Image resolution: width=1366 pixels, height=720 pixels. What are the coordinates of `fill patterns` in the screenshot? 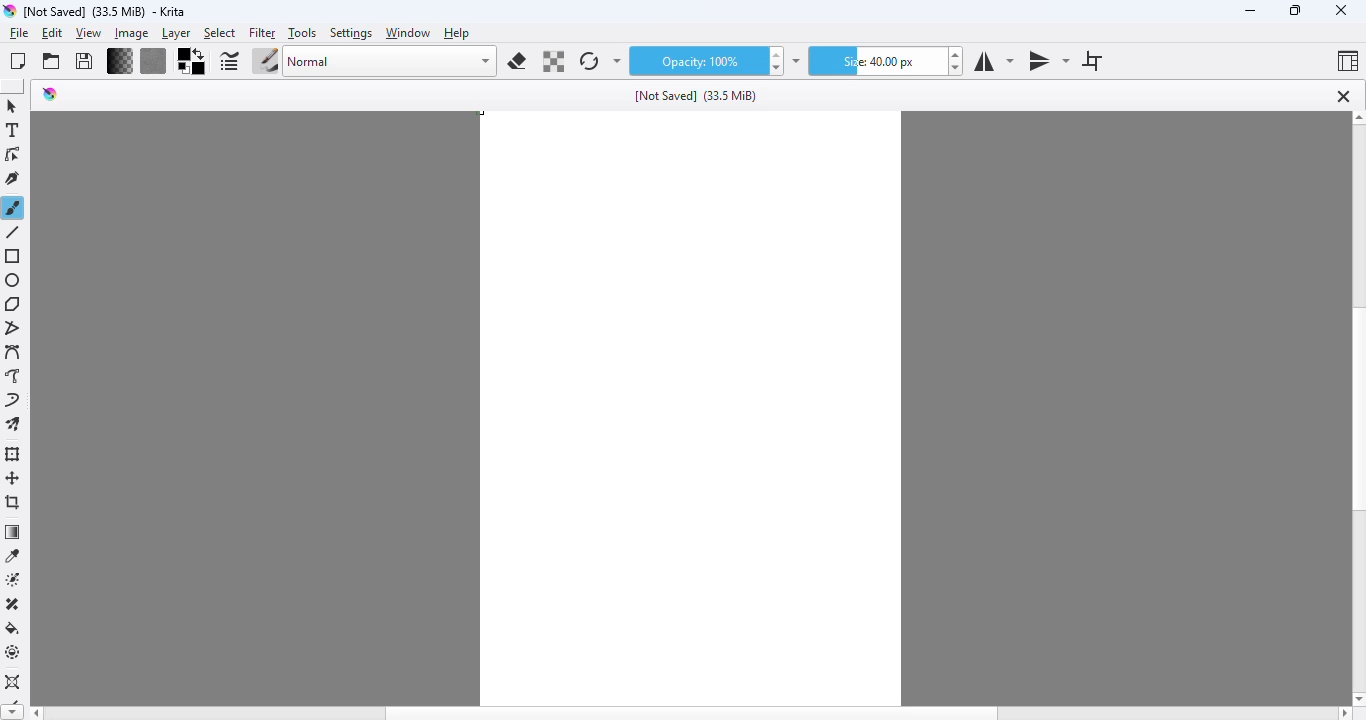 It's located at (154, 61).